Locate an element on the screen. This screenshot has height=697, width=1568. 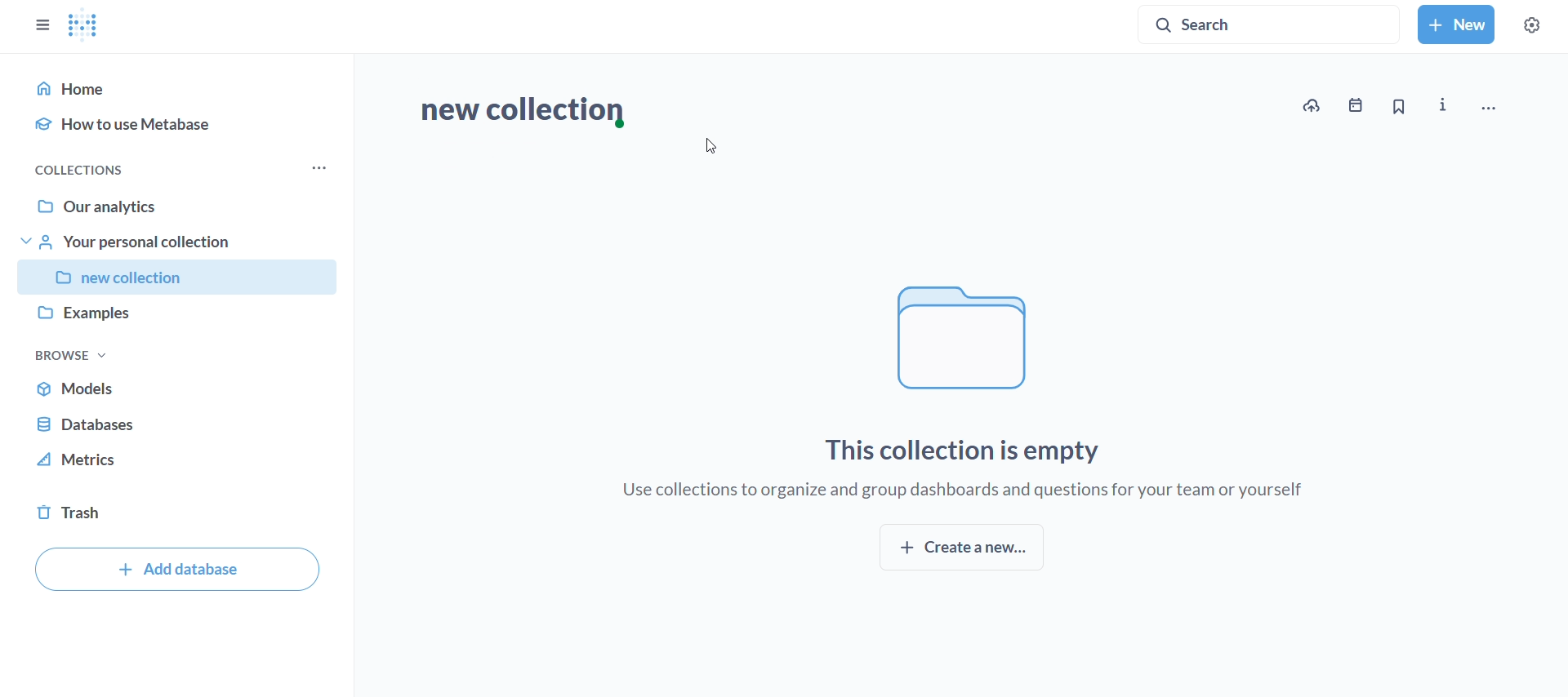
new is located at coordinates (1456, 24).